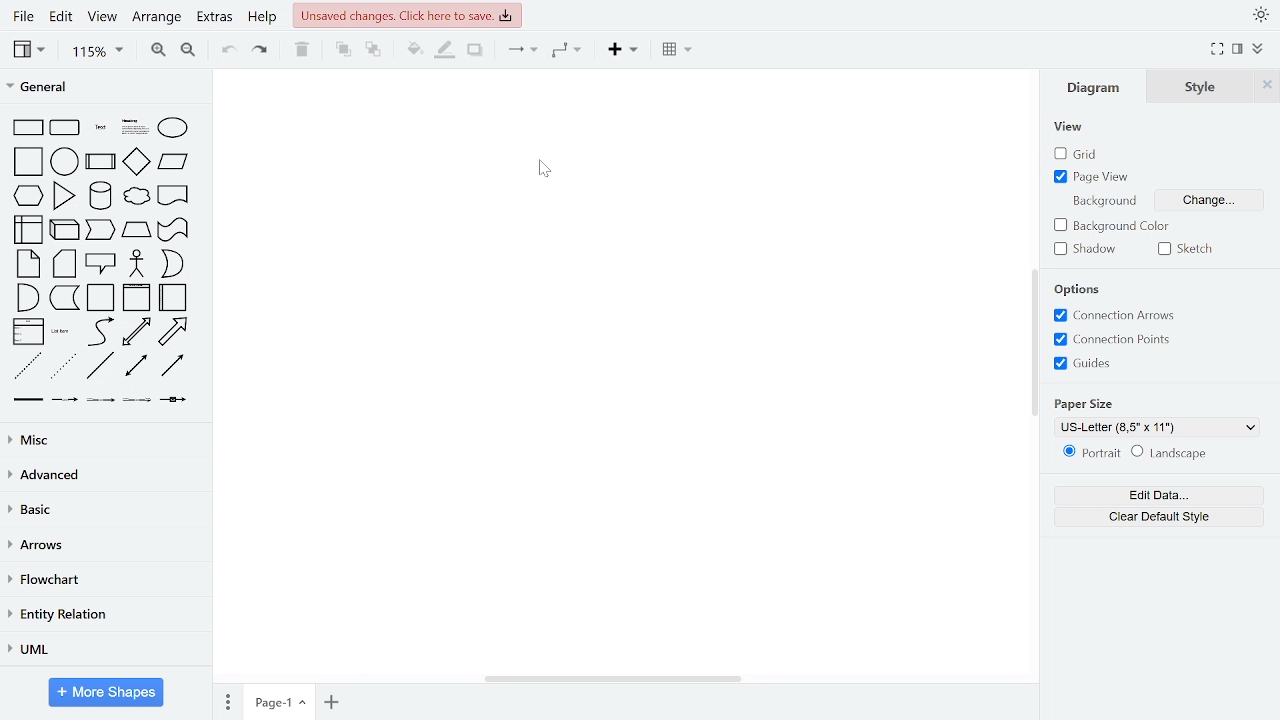  Describe the element at coordinates (26, 195) in the screenshot. I see `hexagon` at that location.